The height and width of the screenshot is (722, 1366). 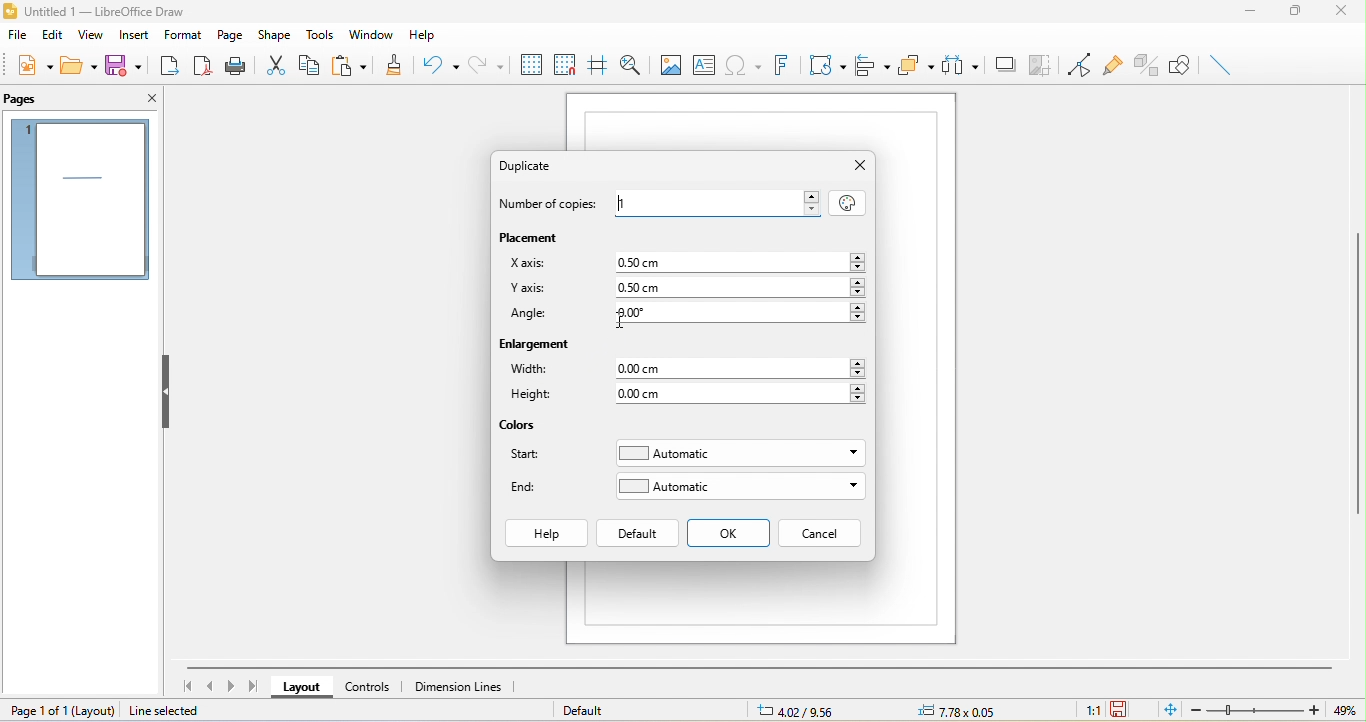 What do you see at coordinates (859, 166) in the screenshot?
I see `close` at bounding box center [859, 166].